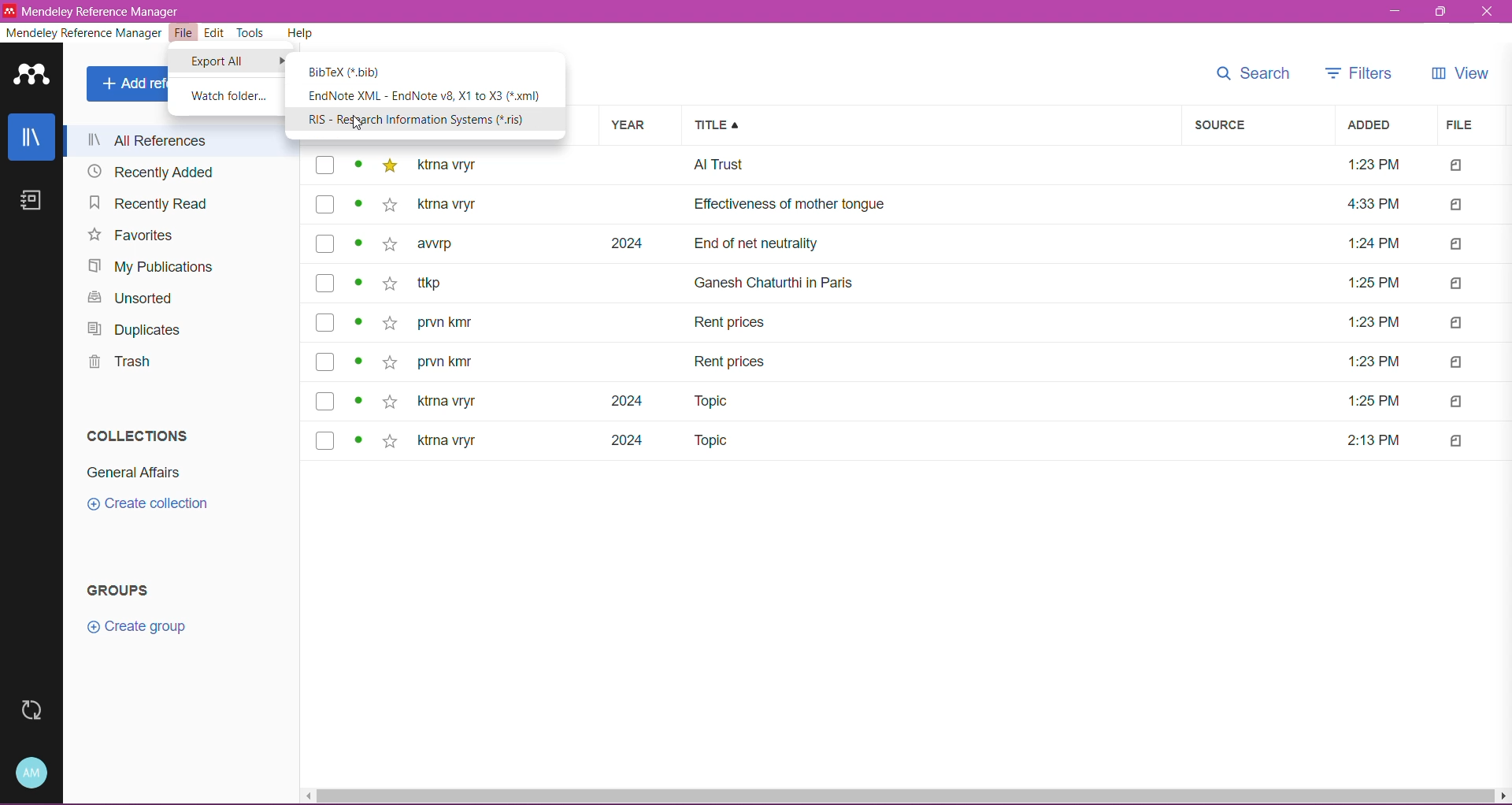  What do you see at coordinates (363, 125) in the screenshot?
I see `cursor` at bounding box center [363, 125].